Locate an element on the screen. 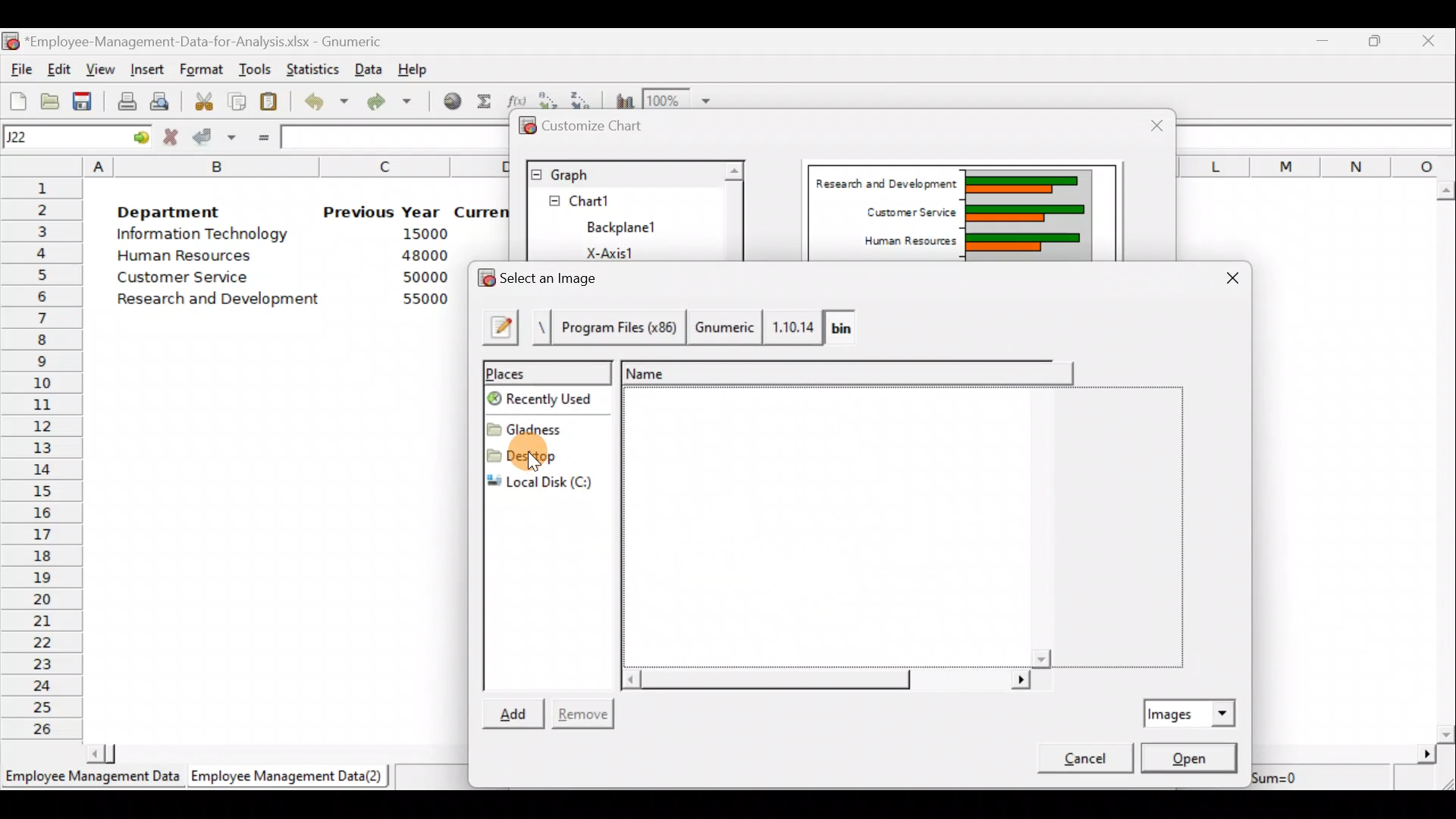 The width and height of the screenshot is (1456, 819). Create a new workbook is located at coordinates (17, 99).